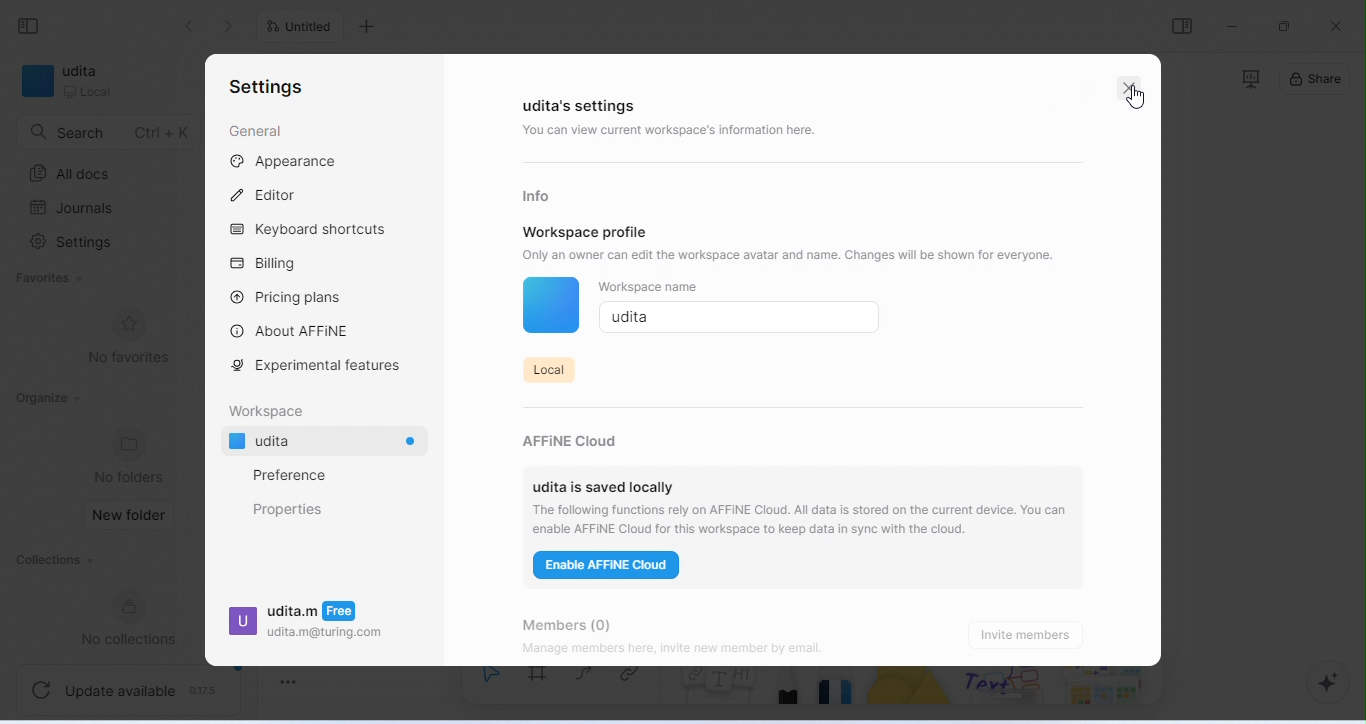  I want to click on new folder, so click(131, 516).